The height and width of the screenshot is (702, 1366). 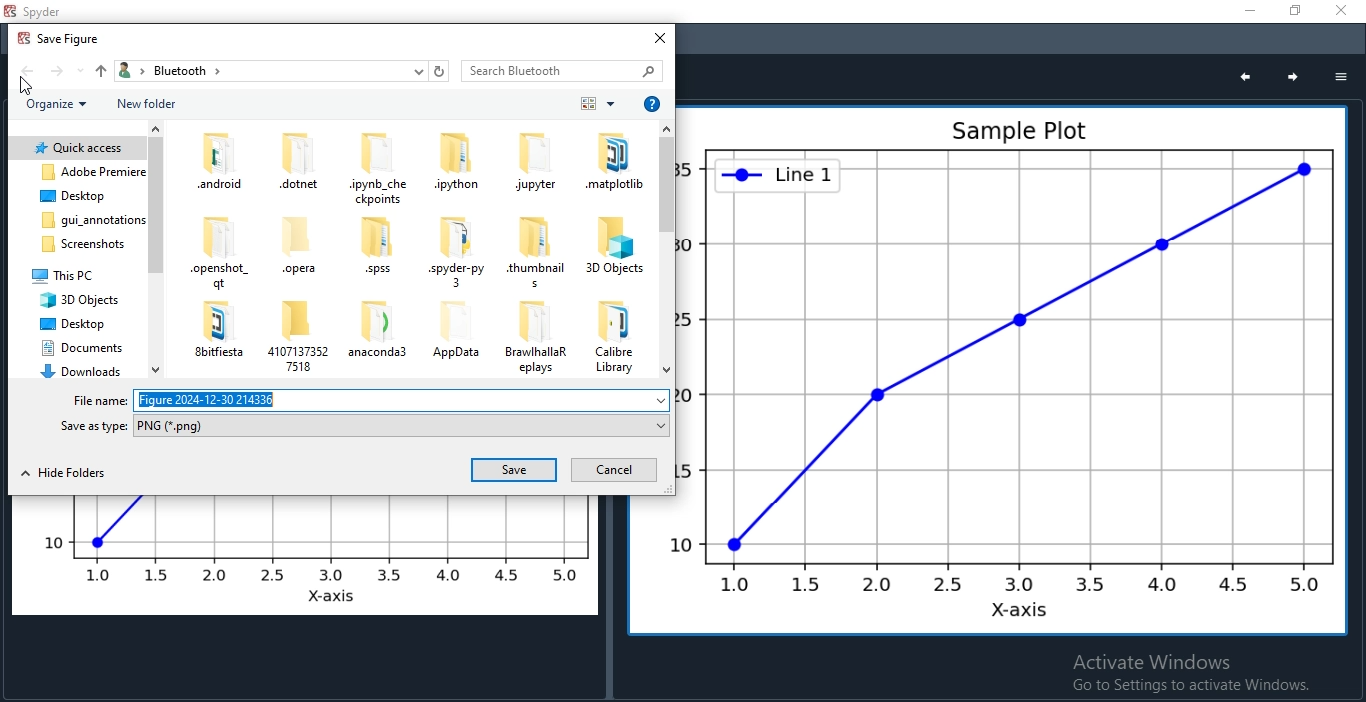 I want to click on files, so click(x=297, y=160).